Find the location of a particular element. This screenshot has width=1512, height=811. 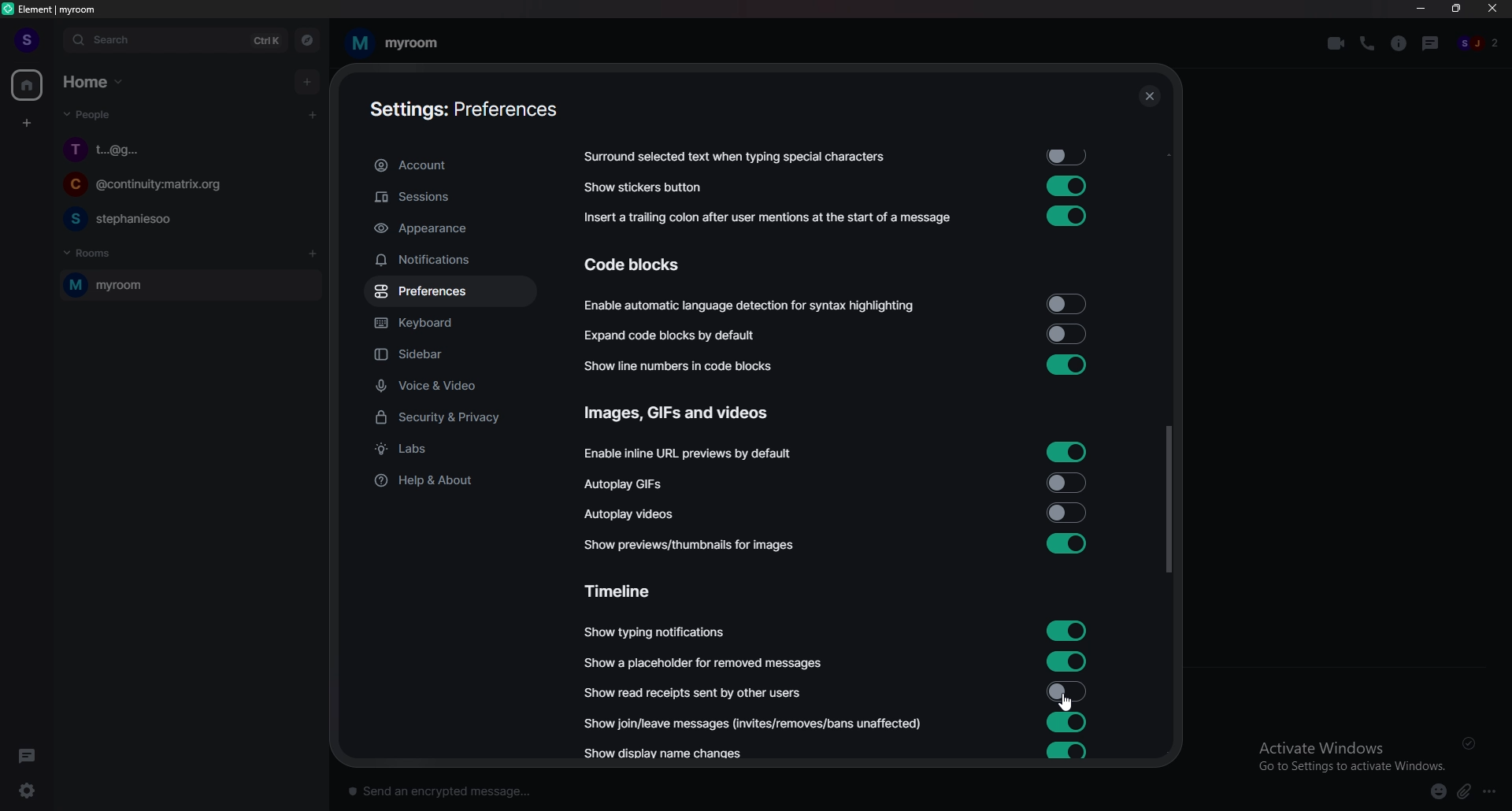

home is located at coordinates (28, 86).